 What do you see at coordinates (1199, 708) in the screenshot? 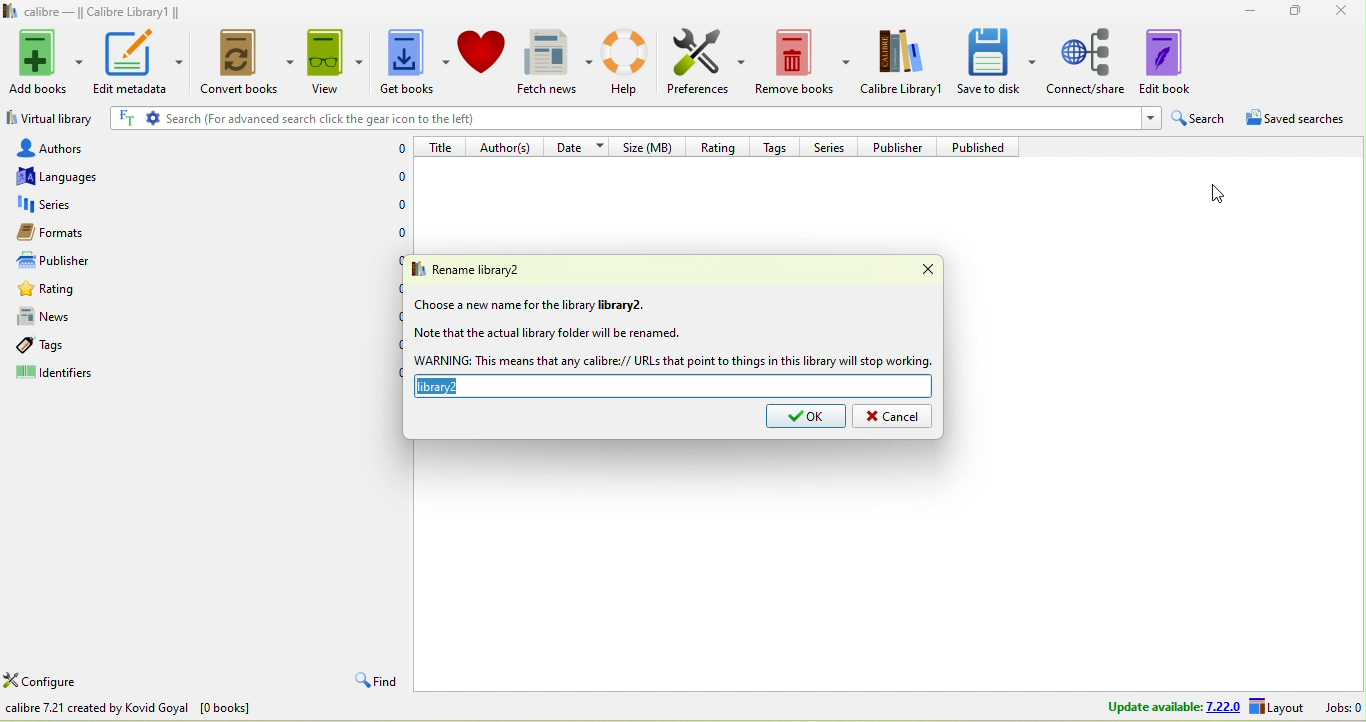
I see `update available 7.22.0 logout` at bounding box center [1199, 708].